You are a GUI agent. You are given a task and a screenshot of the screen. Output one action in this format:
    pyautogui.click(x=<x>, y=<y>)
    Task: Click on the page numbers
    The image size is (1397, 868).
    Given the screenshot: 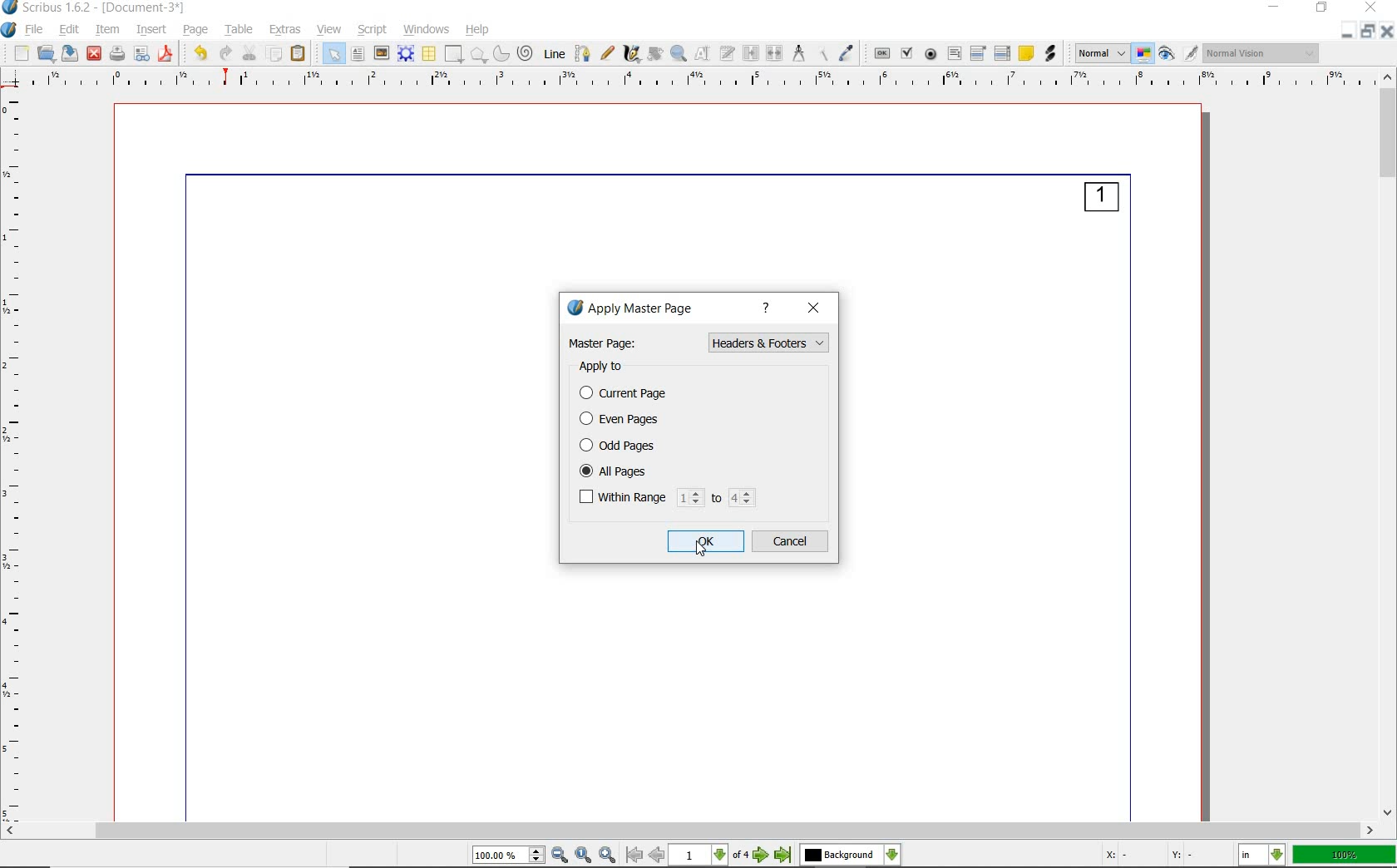 What is the action you would take?
    pyautogui.click(x=769, y=390)
    